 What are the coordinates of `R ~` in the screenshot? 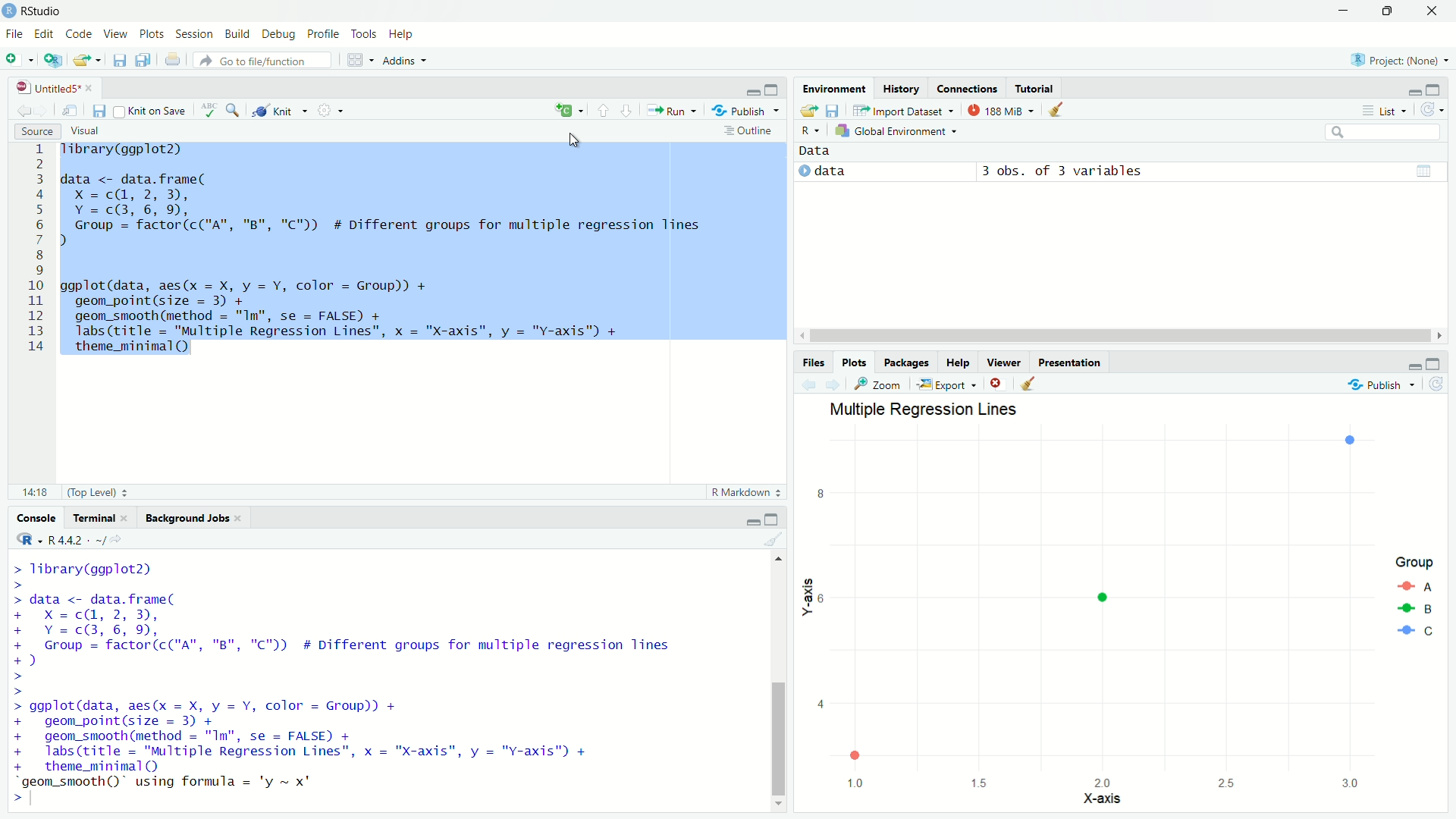 It's located at (812, 127).